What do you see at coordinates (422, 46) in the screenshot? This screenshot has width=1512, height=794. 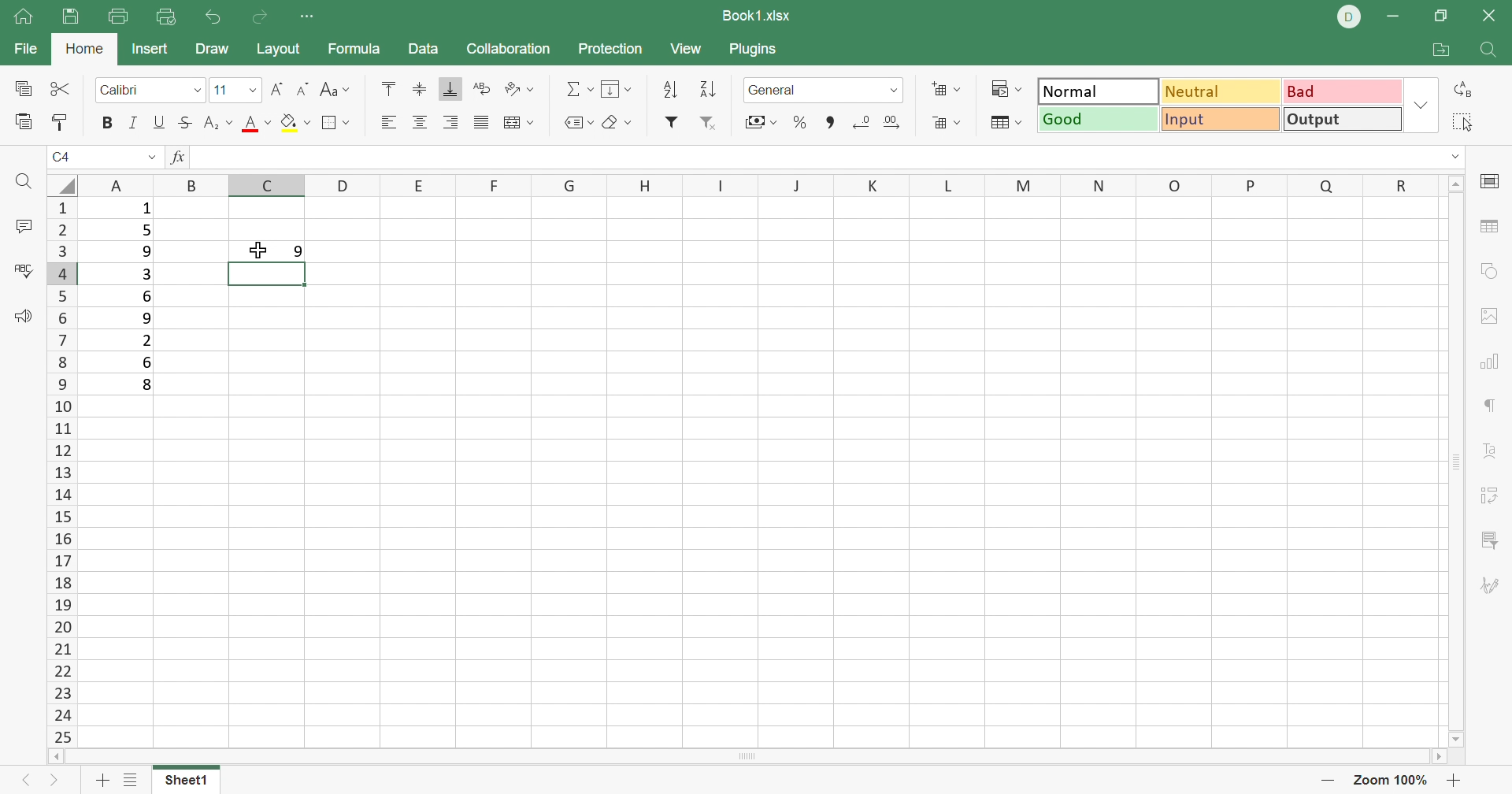 I see `Data` at bounding box center [422, 46].